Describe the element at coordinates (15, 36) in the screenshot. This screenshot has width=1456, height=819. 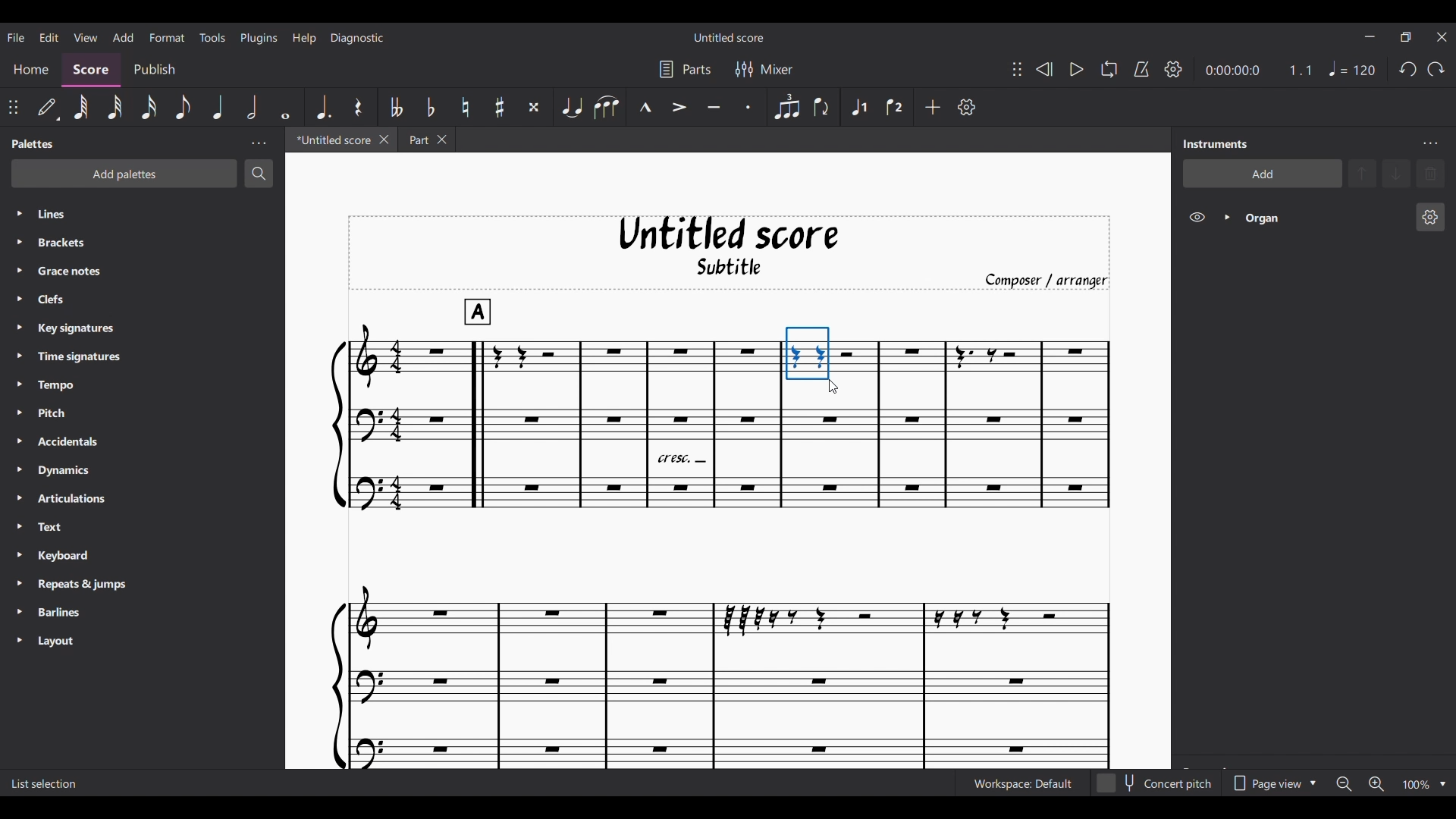
I see `File menu` at that location.